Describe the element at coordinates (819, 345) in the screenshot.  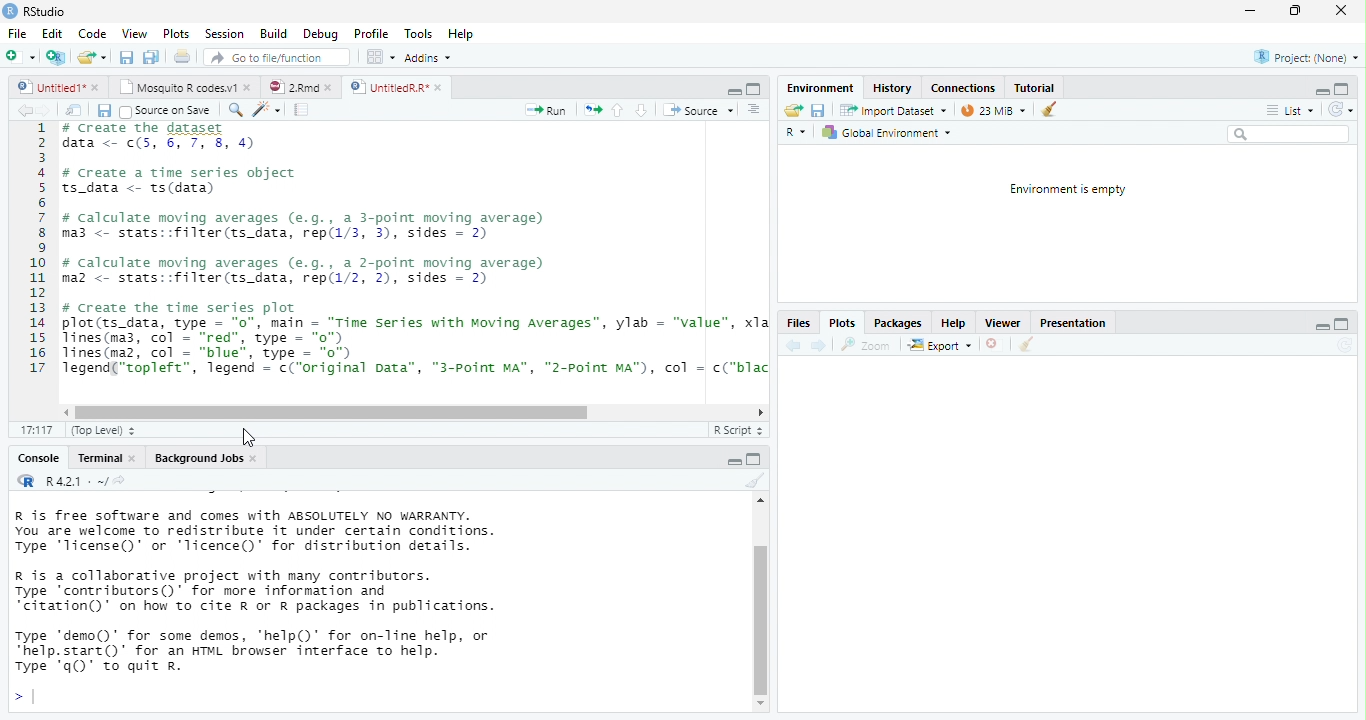
I see `next` at that location.